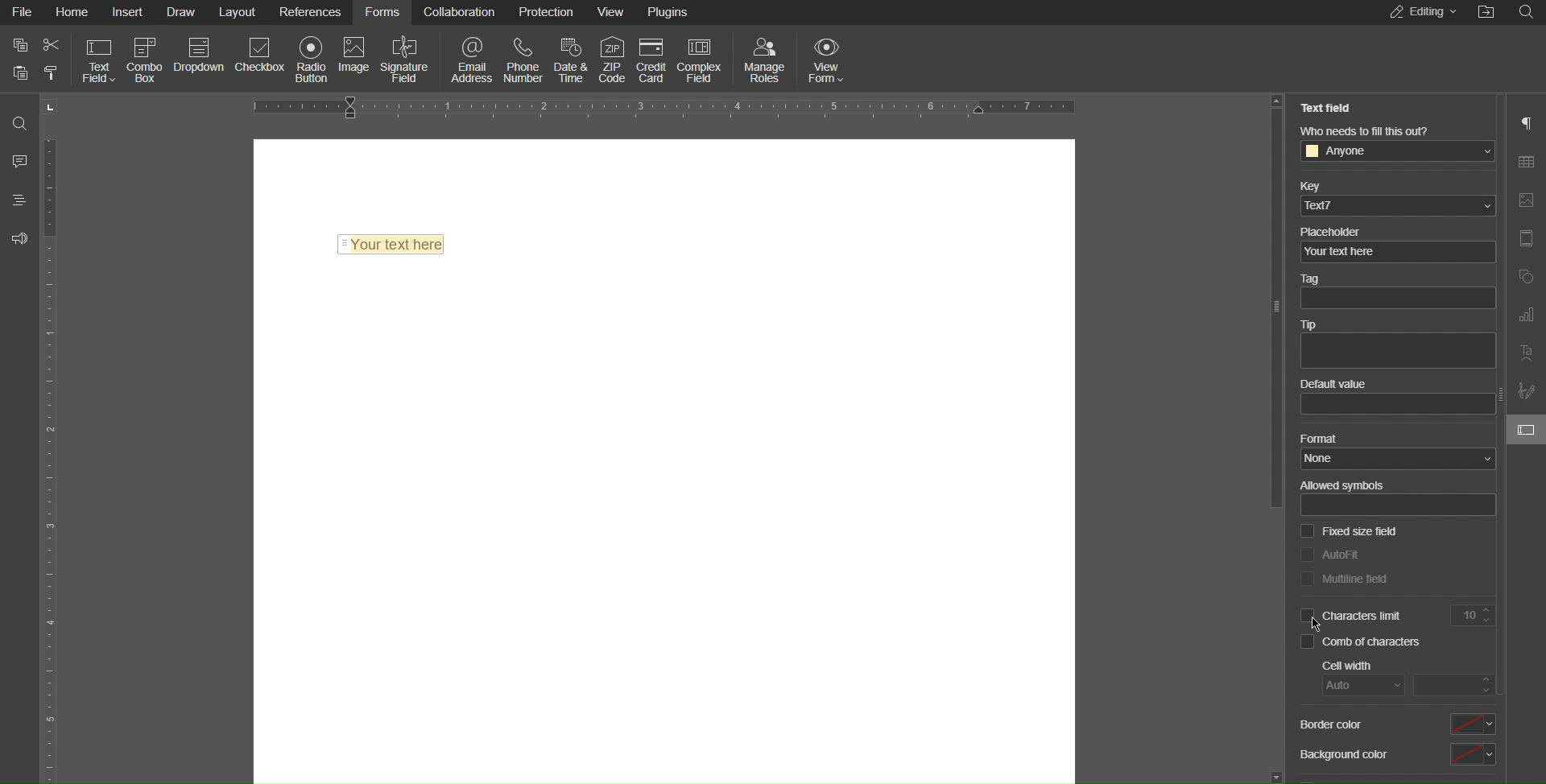  I want to click on Dropdown, so click(202, 58).